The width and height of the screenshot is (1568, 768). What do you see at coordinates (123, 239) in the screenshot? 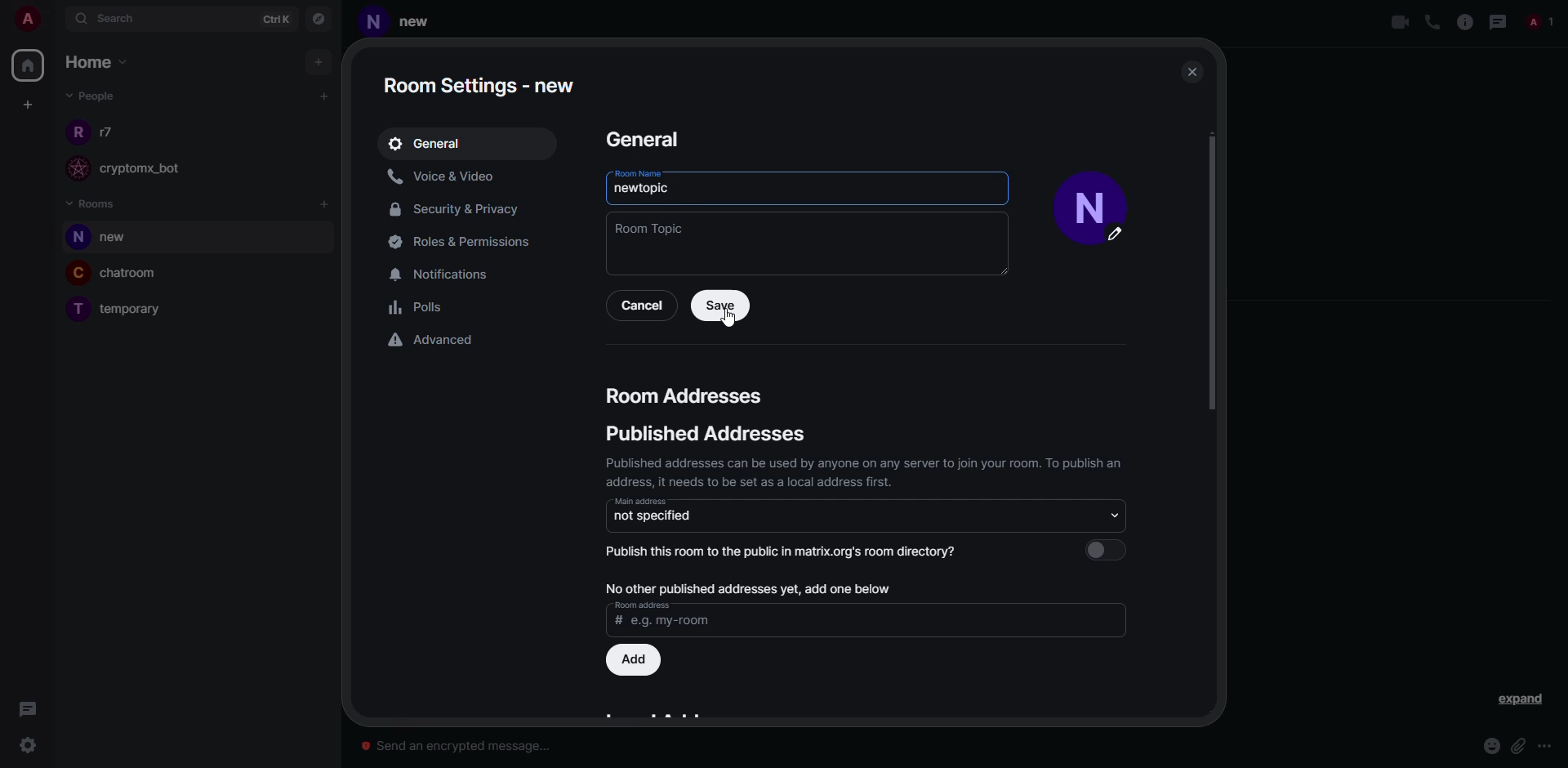
I see `room` at bounding box center [123, 239].